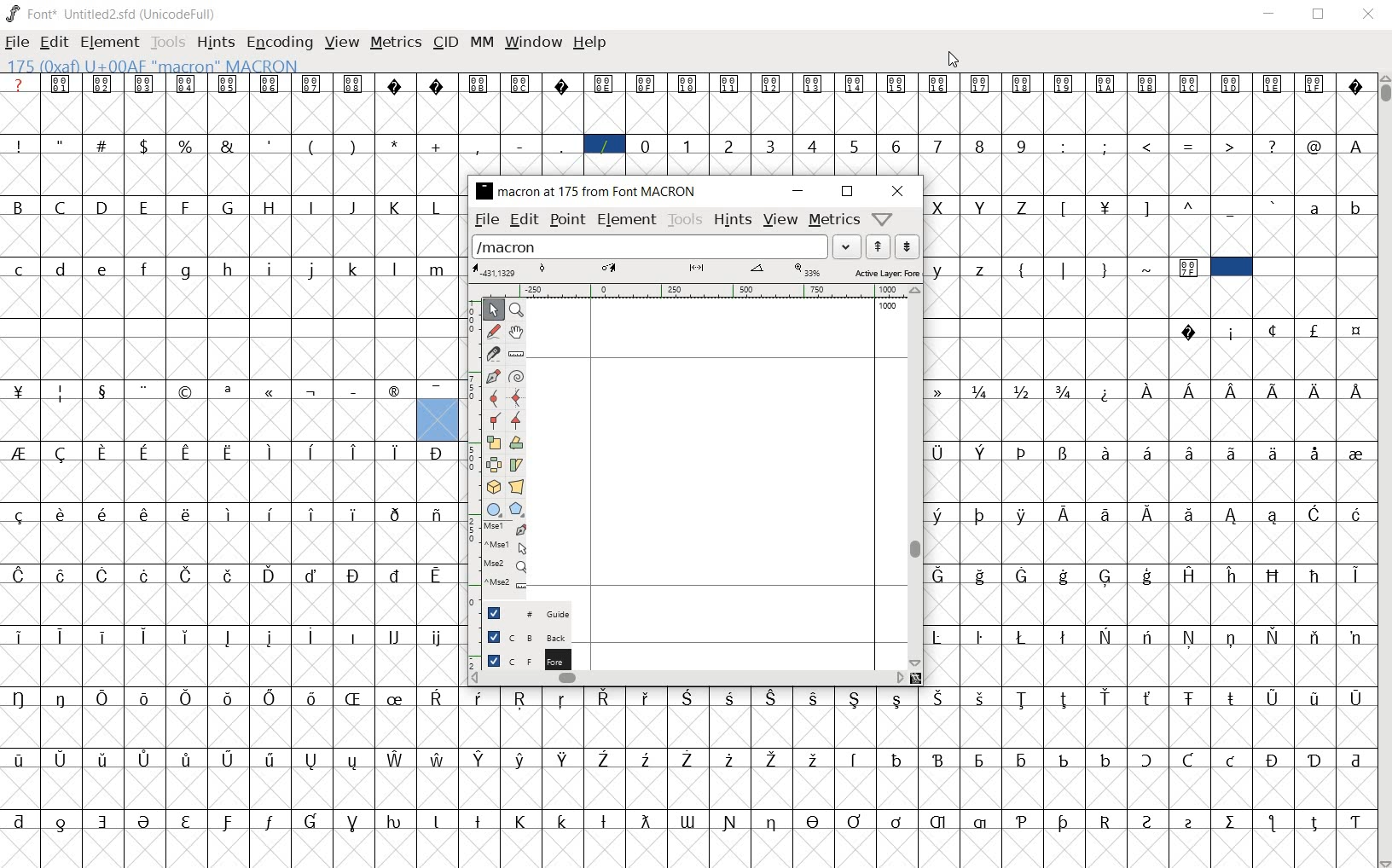 This screenshot has height=868, width=1392. I want to click on Symbol, so click(1354, 391).